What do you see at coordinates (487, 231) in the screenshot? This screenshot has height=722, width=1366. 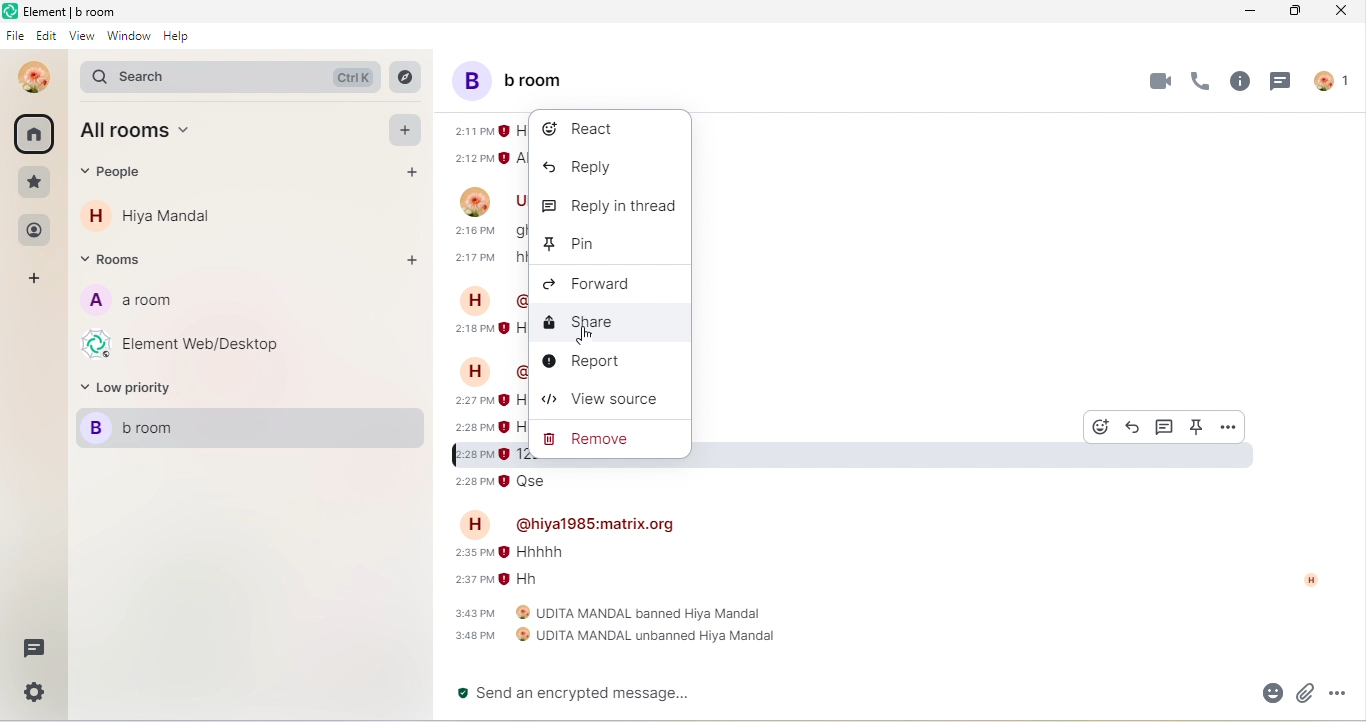 I see `2:16 pm ghhh` at bounding box center [487, 231].